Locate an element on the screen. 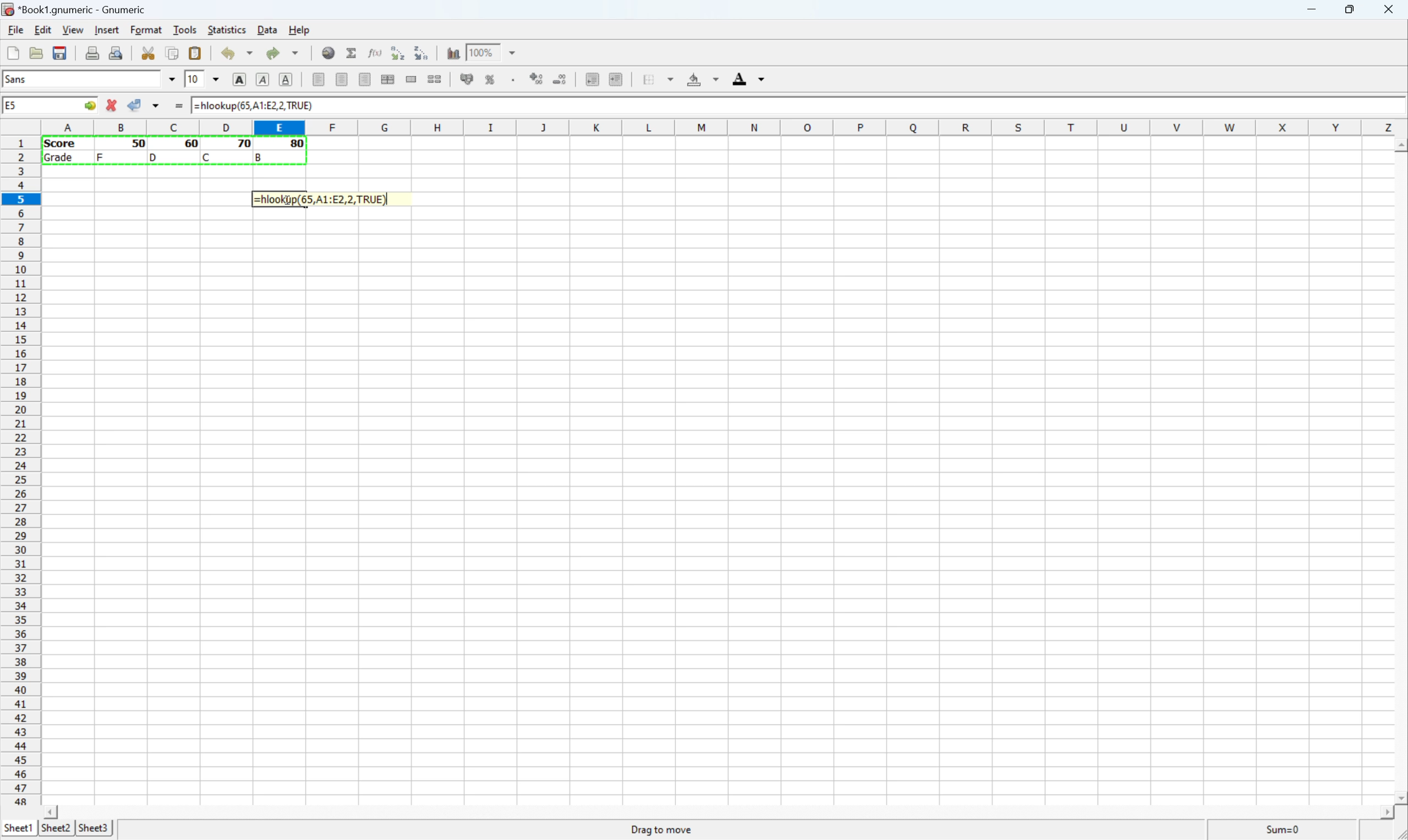  Insert is located at coordinates (106, 31).